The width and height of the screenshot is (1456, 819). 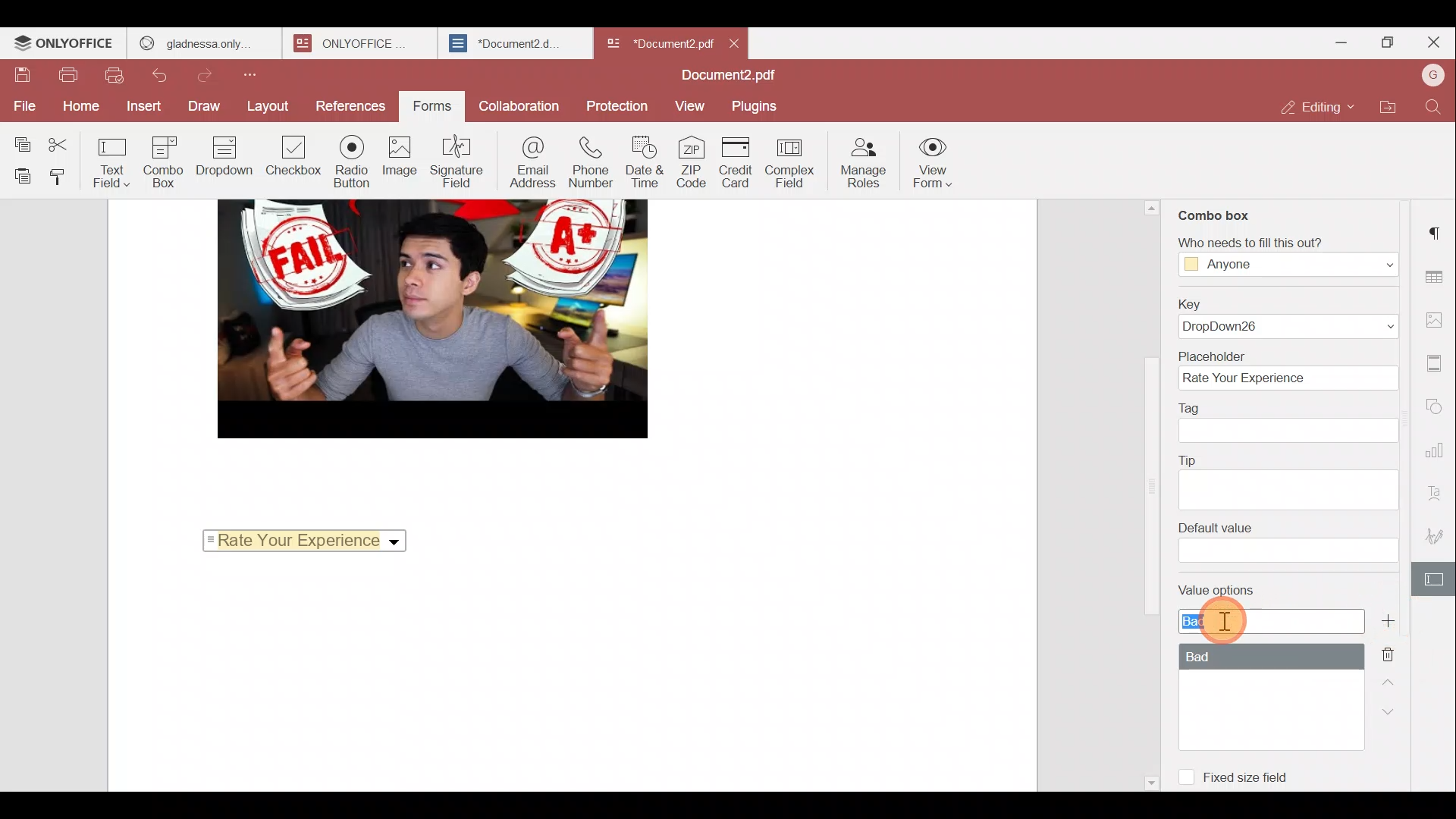 What do you see at coordinates (1429, 80) in the screenshot?
I see `Account name` at bounding box center [1429, 80].